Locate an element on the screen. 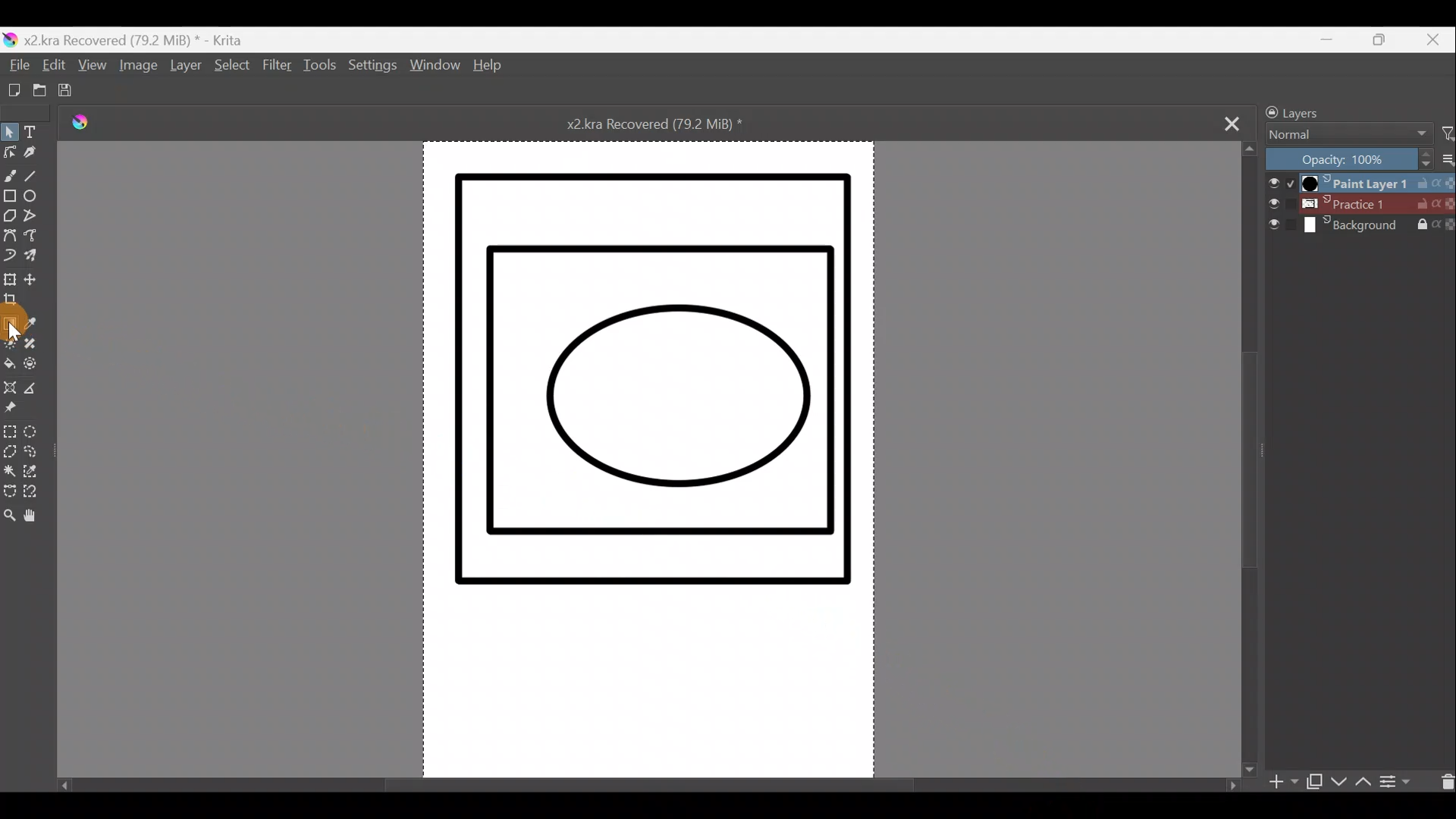  Ellipse tool is located at coordinates (35, 199).